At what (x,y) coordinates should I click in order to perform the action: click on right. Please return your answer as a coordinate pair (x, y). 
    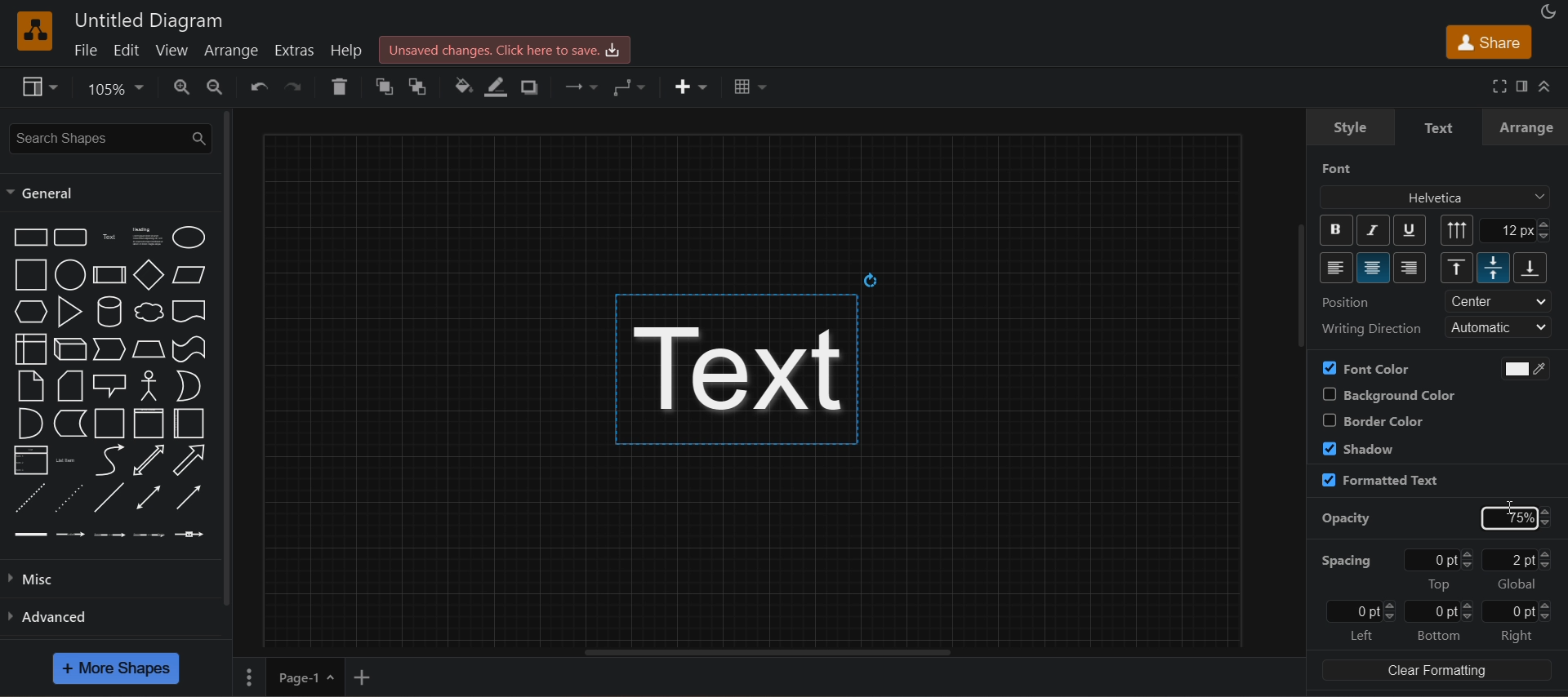
    Looking at the image, I should click on (1518, 637).